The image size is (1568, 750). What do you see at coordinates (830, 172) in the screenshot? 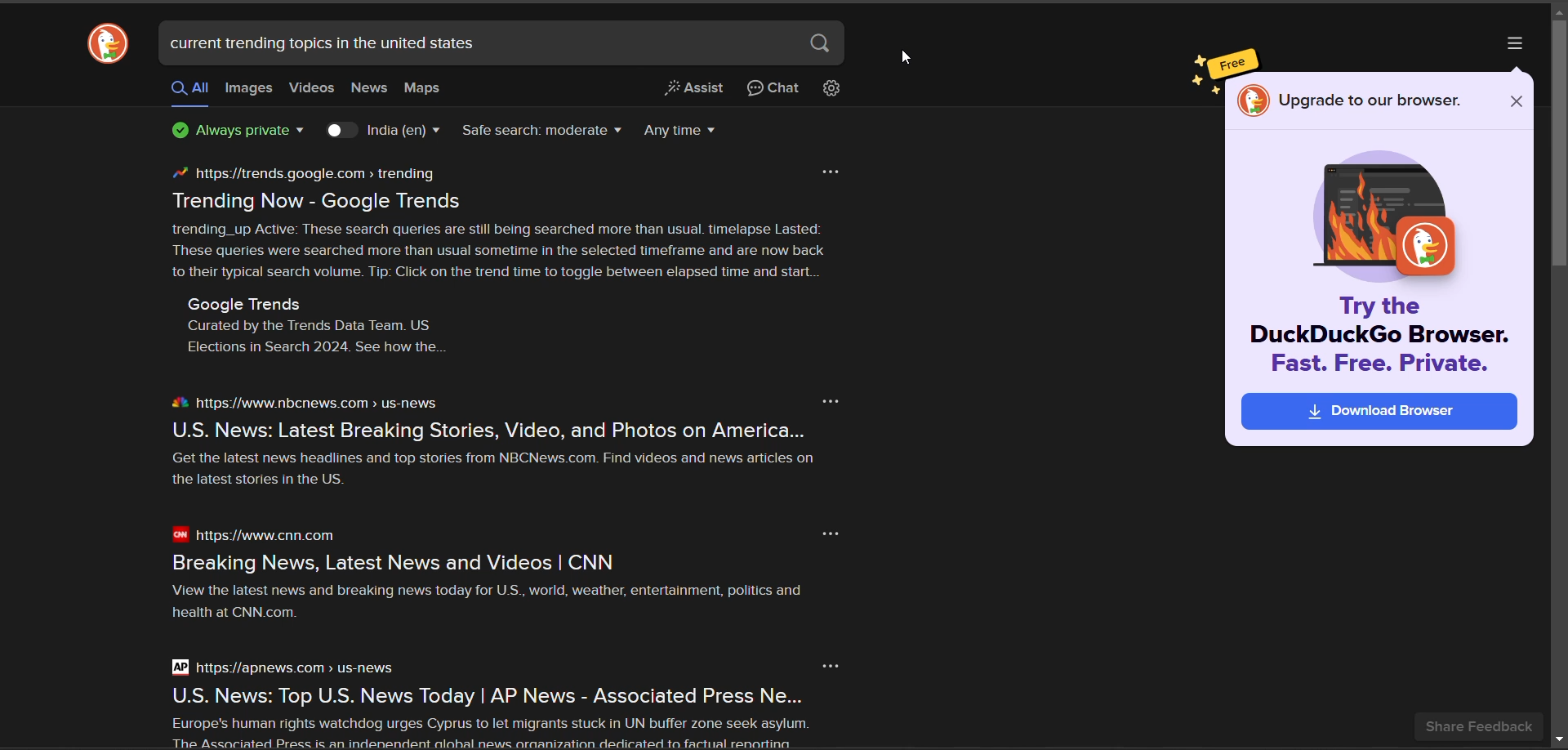
I see `more` at bounding box center [830, 172].